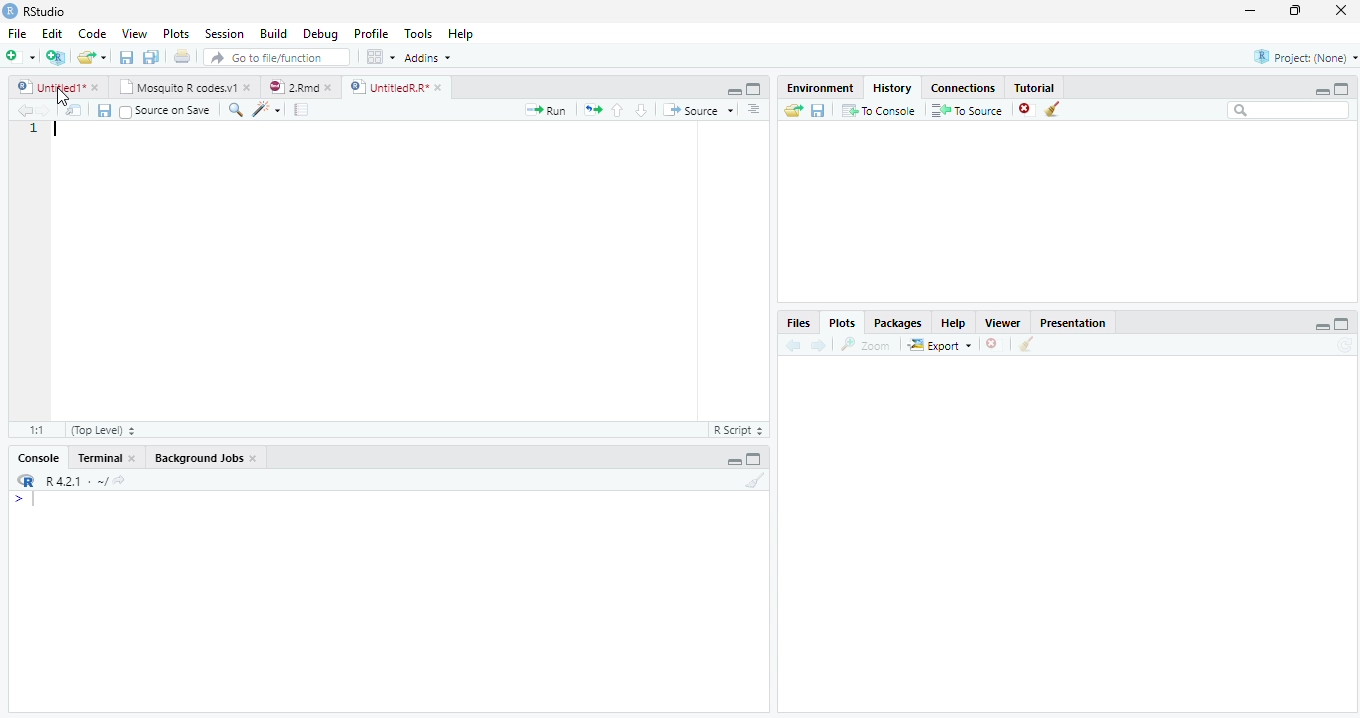 This screenshot has height=718, width=1360. I want to click on Pages, so click(301, 110).